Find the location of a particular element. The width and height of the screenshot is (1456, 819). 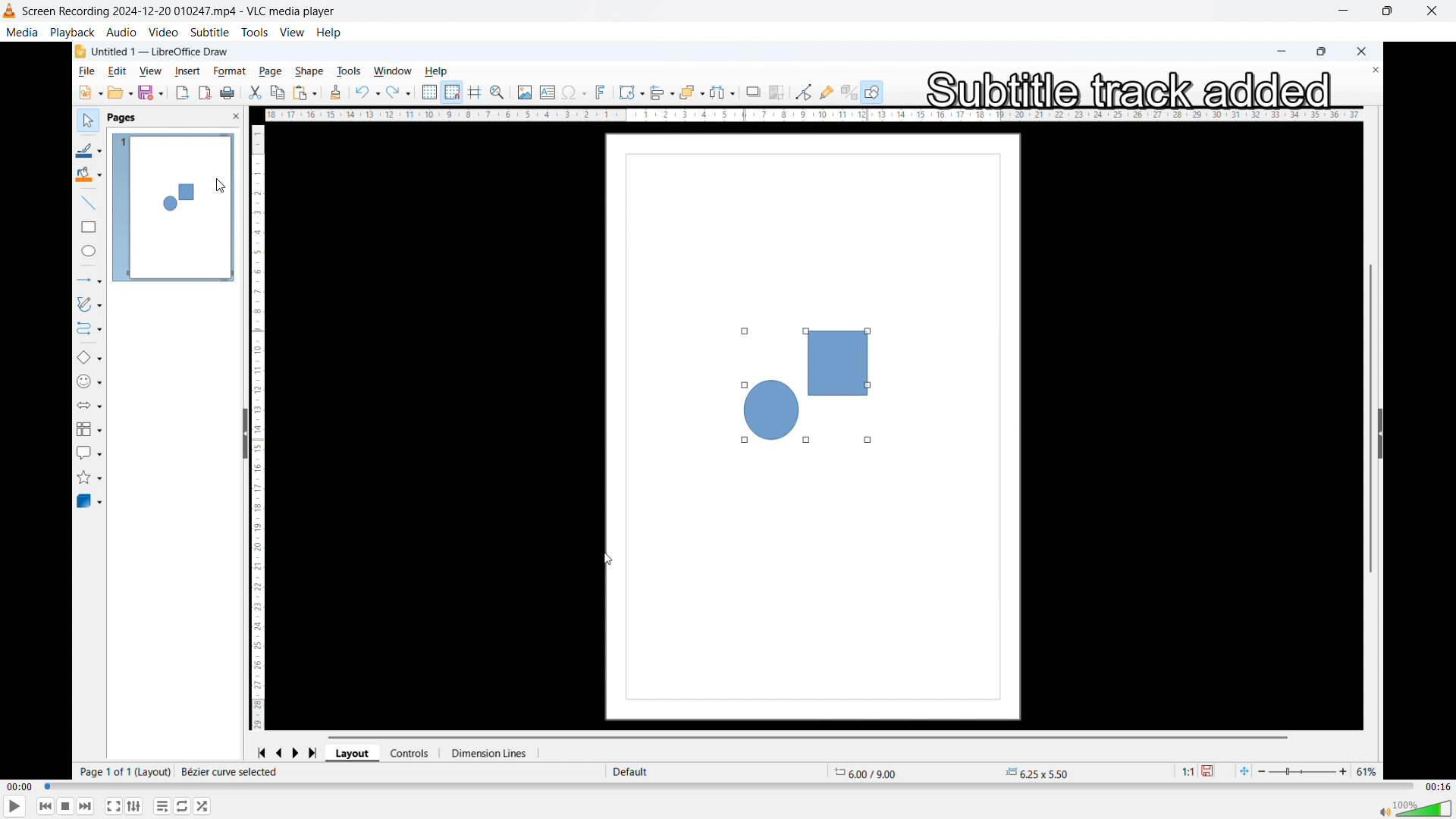

Subtitle track added  is located at coordinates (1128, 86).